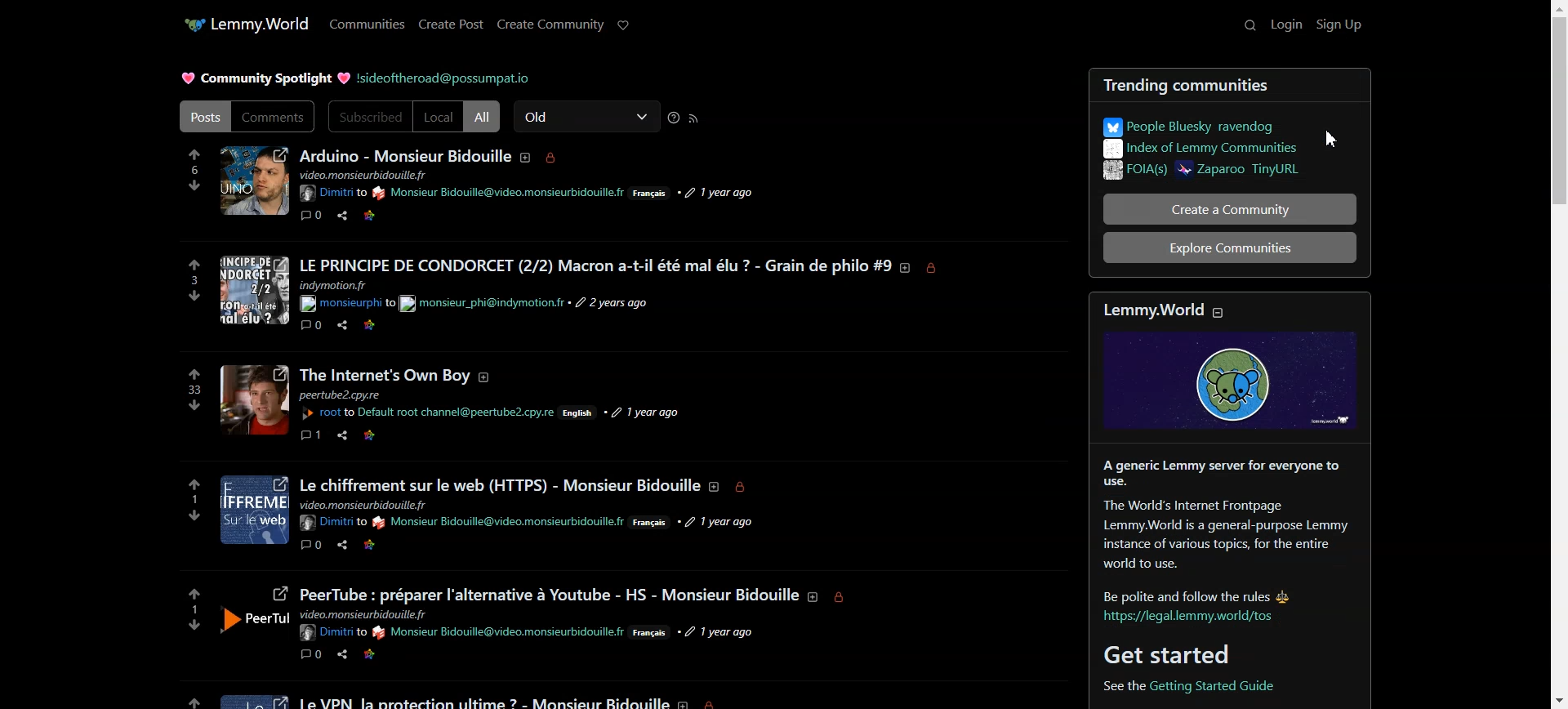  Describe the element at coordinates (345, 304) in the screenshot. I see `hyperlink` at that location.